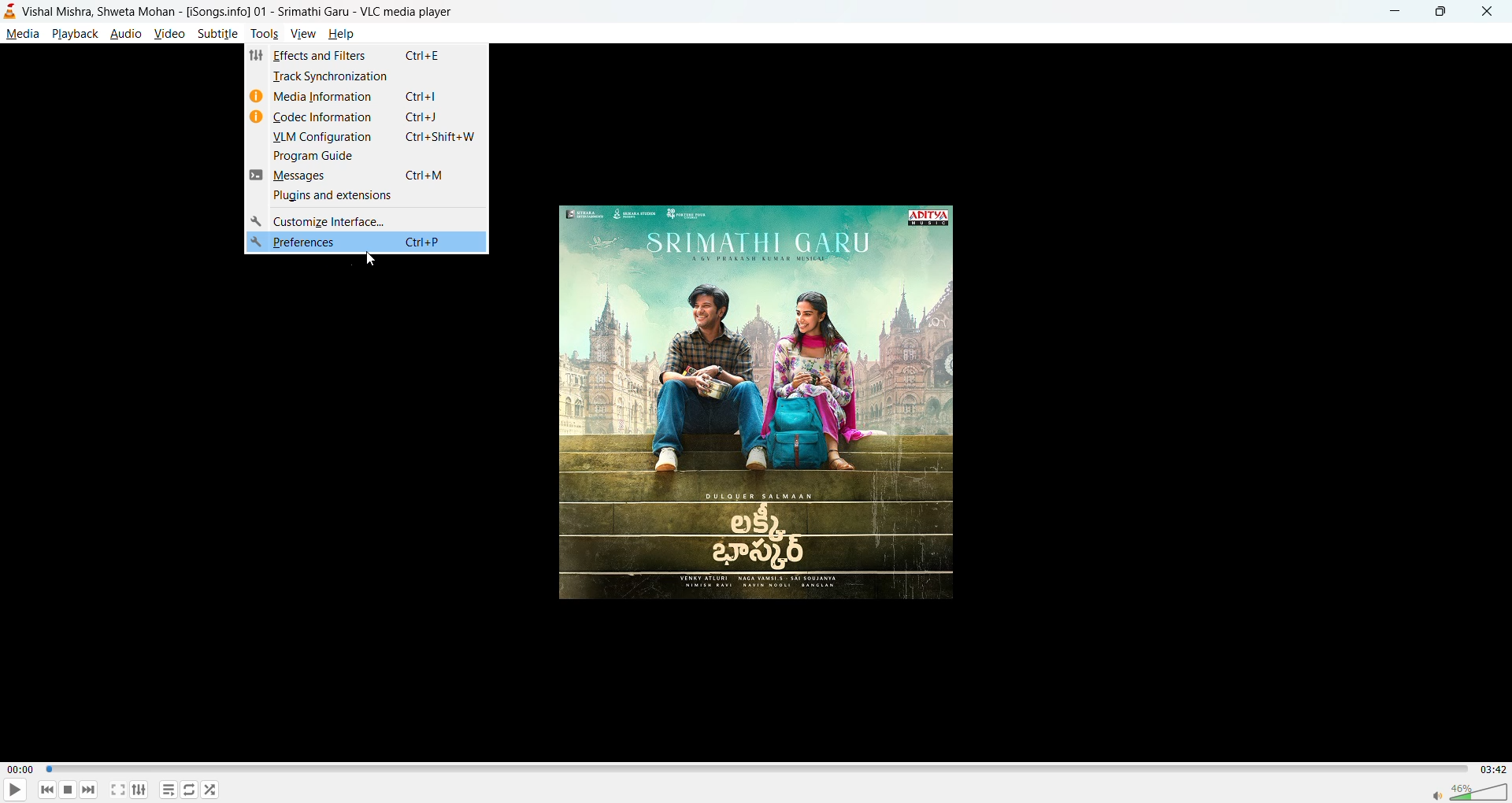 The height and width of the screenshot is (803, 1512). I want to click on loop, so click(187, 789).